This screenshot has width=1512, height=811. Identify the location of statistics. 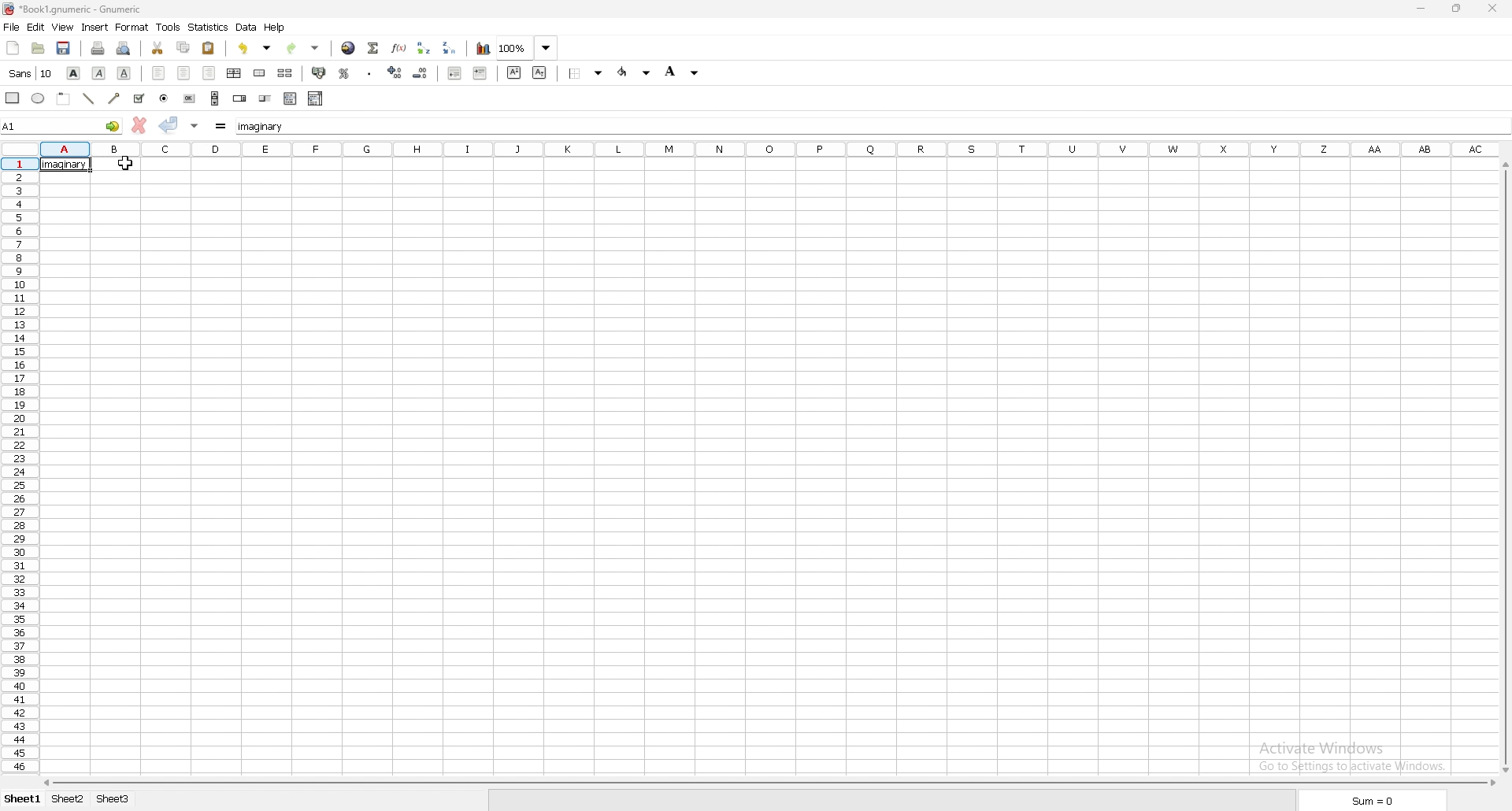
(209, 28).